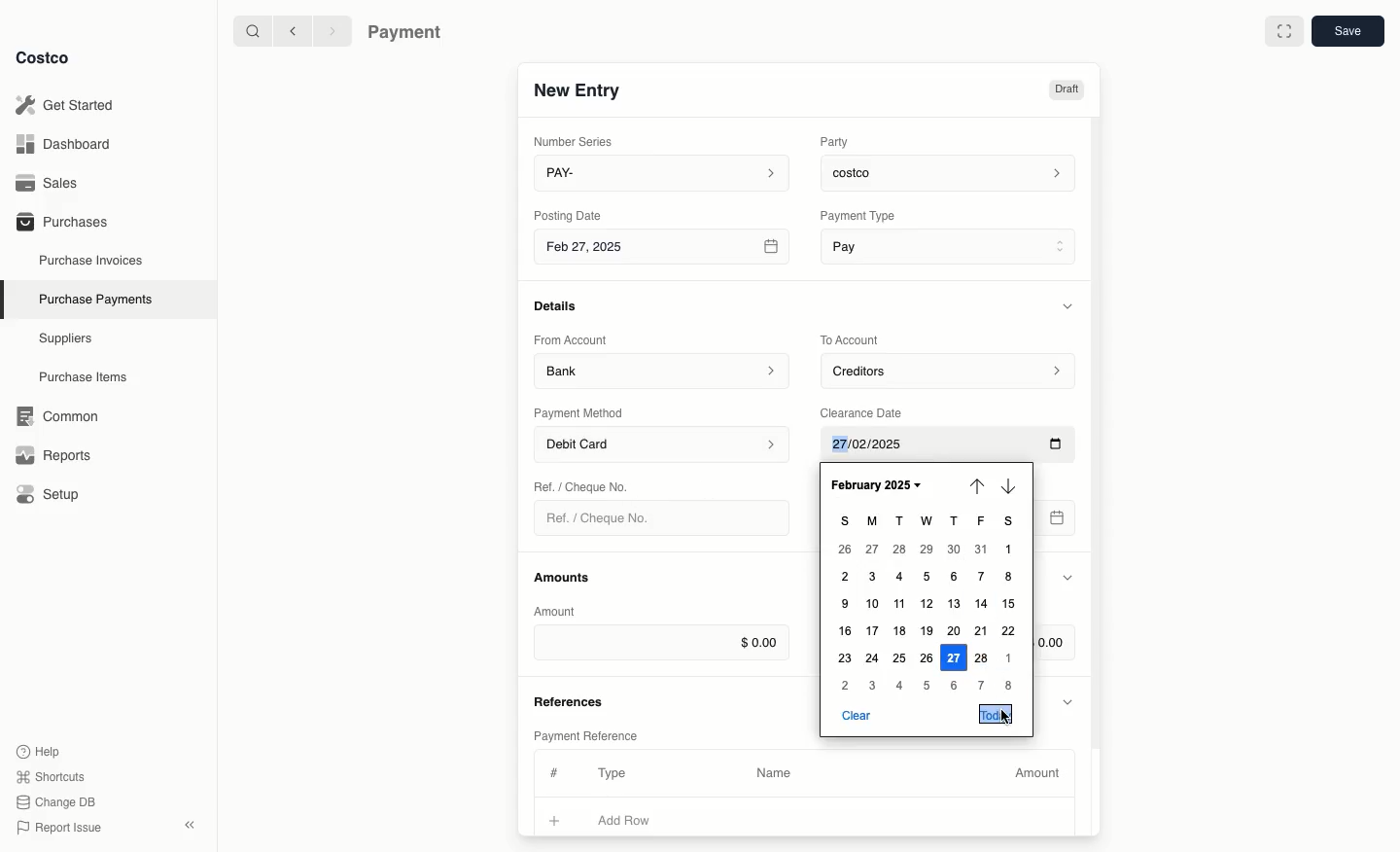 This screenshot has width=1400, height=852. I want to click on collapse, so click(189, 825).